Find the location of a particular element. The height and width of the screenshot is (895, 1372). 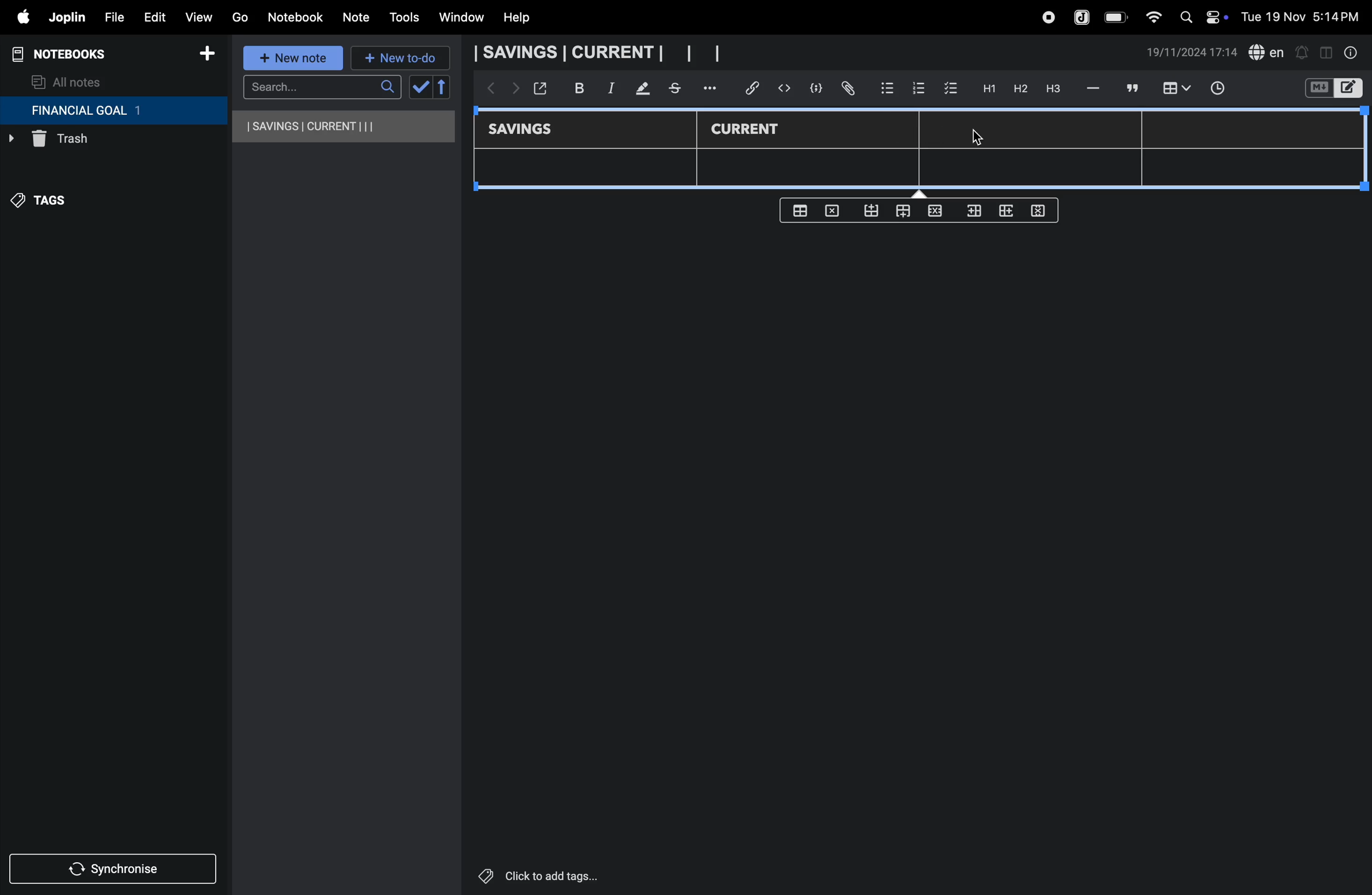

date and time is located at coordinates (1192, 52).